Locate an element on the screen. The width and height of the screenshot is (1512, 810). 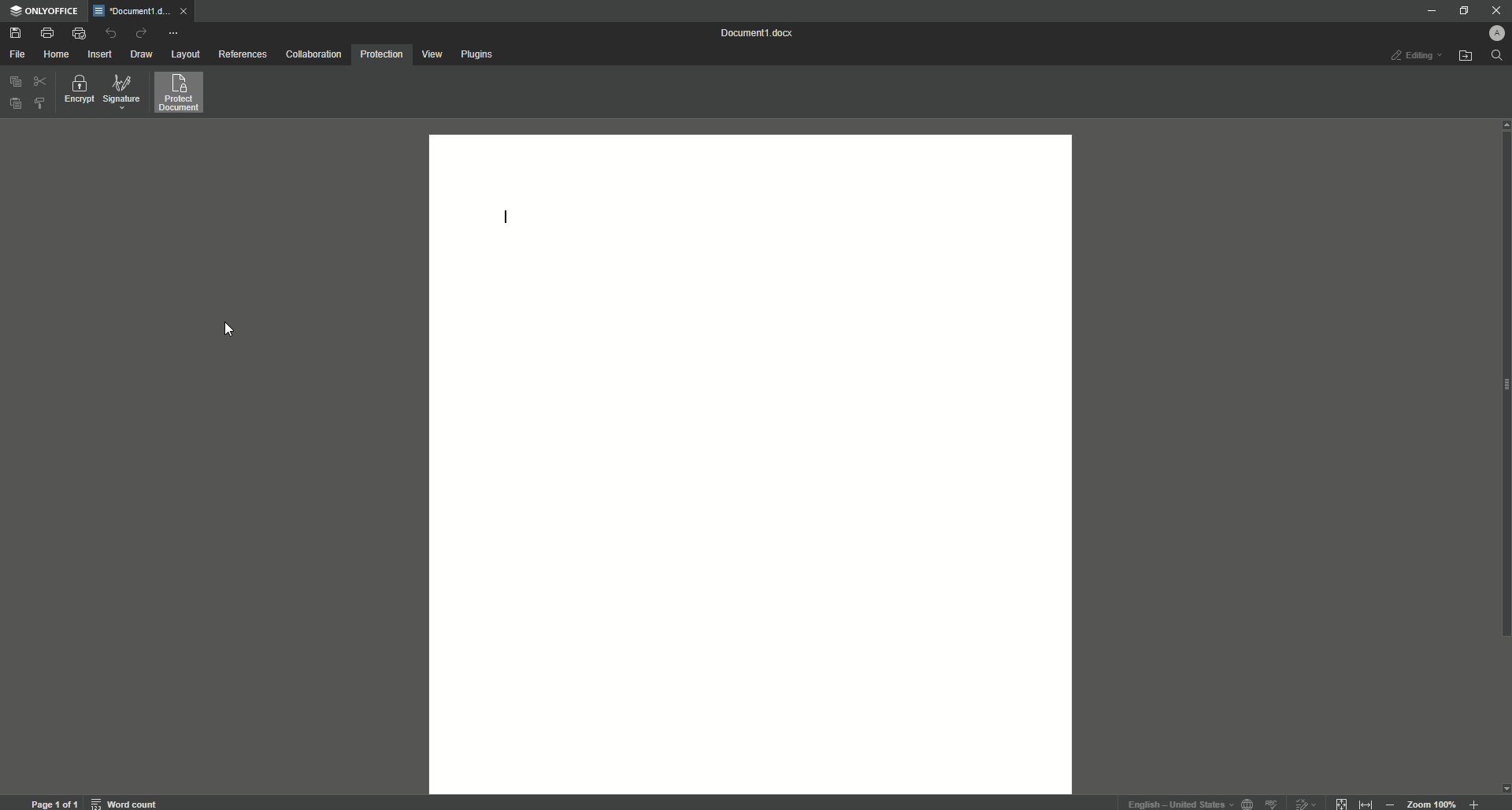
Cut is located at coordinates (39, 81).